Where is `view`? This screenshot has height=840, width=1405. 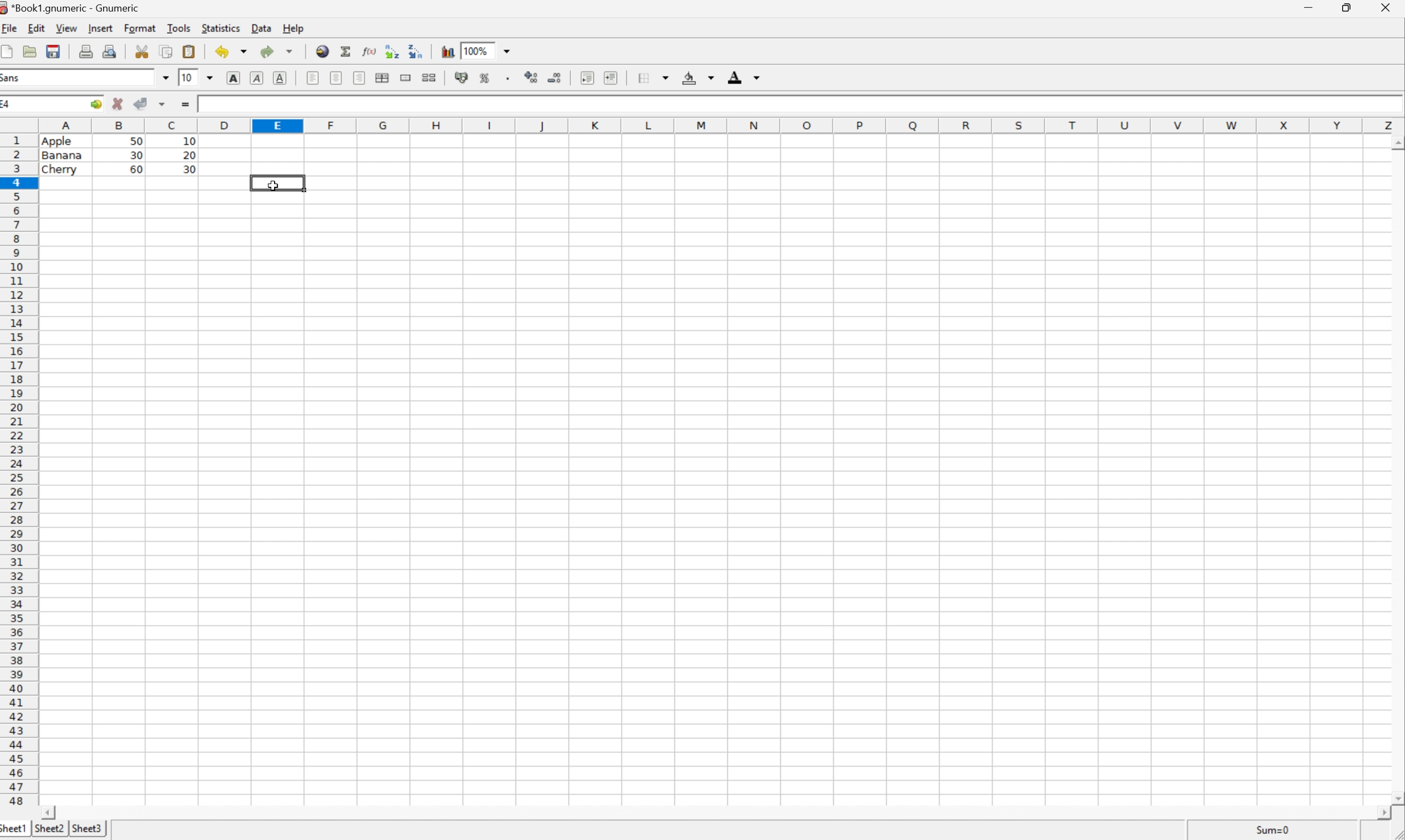 view is located at coordinates (66, 28).